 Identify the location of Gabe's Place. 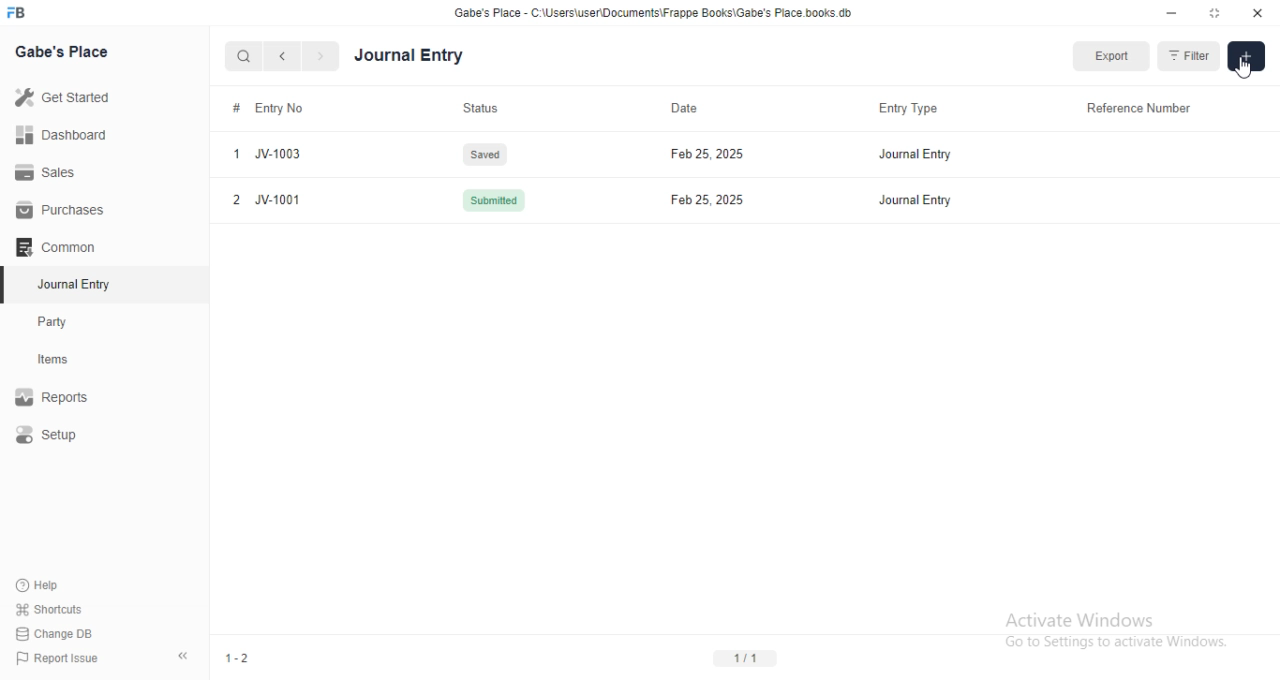
(63, 51).